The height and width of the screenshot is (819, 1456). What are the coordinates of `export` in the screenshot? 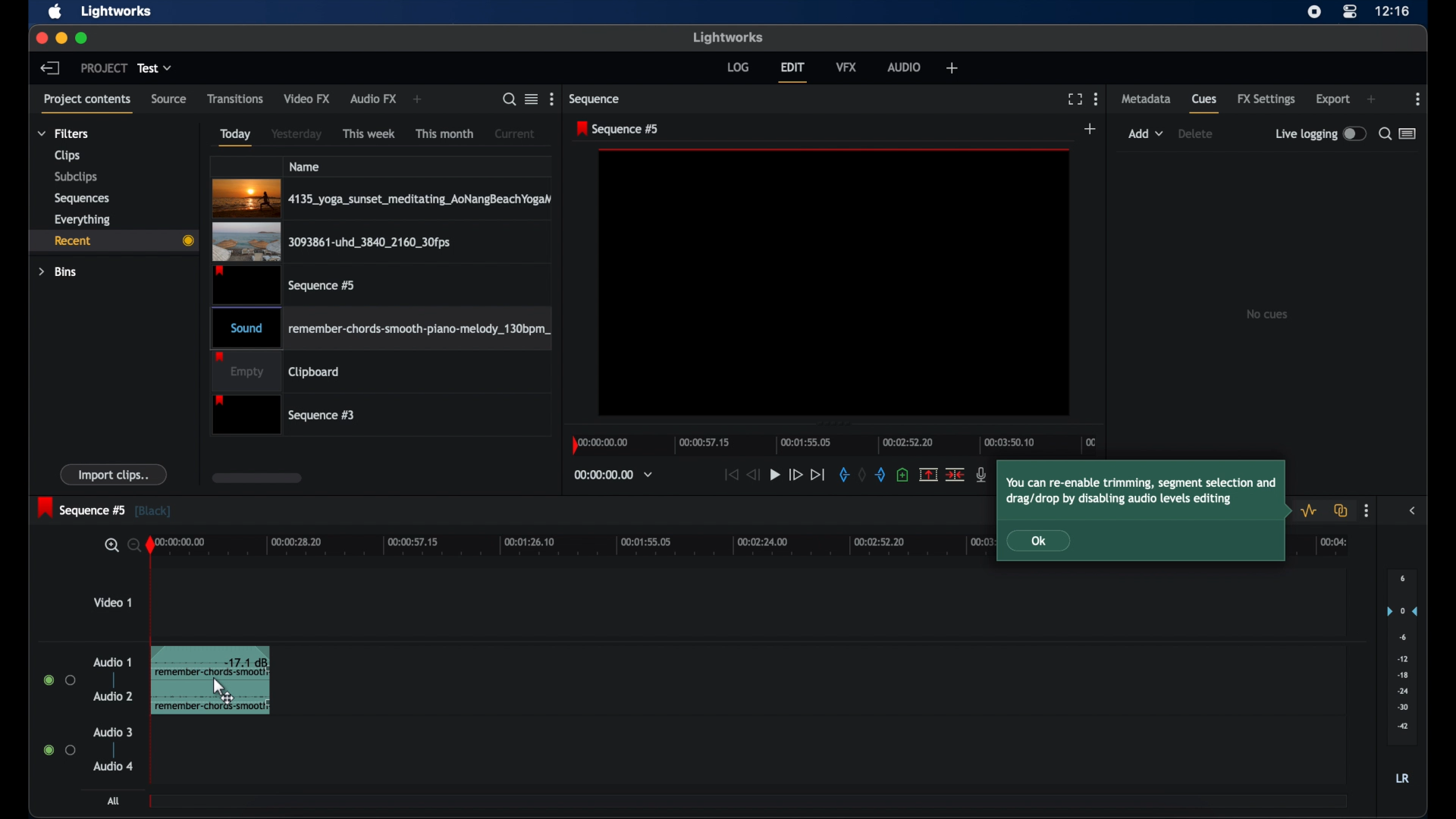 It's located at (1333, 99).